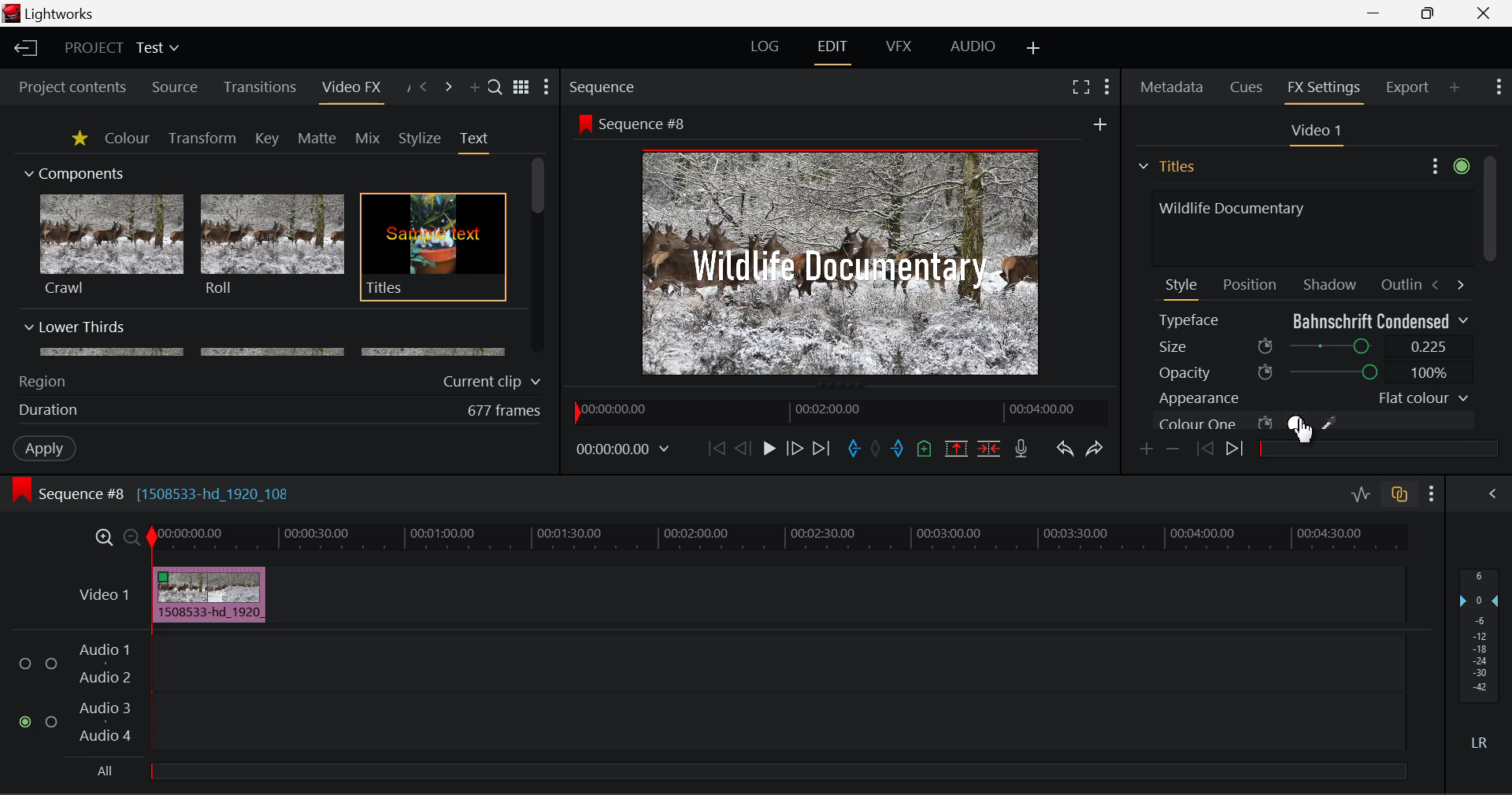  Describe the element at coordinates (367, 139) in the screenshot. I see `Mix` at that location.